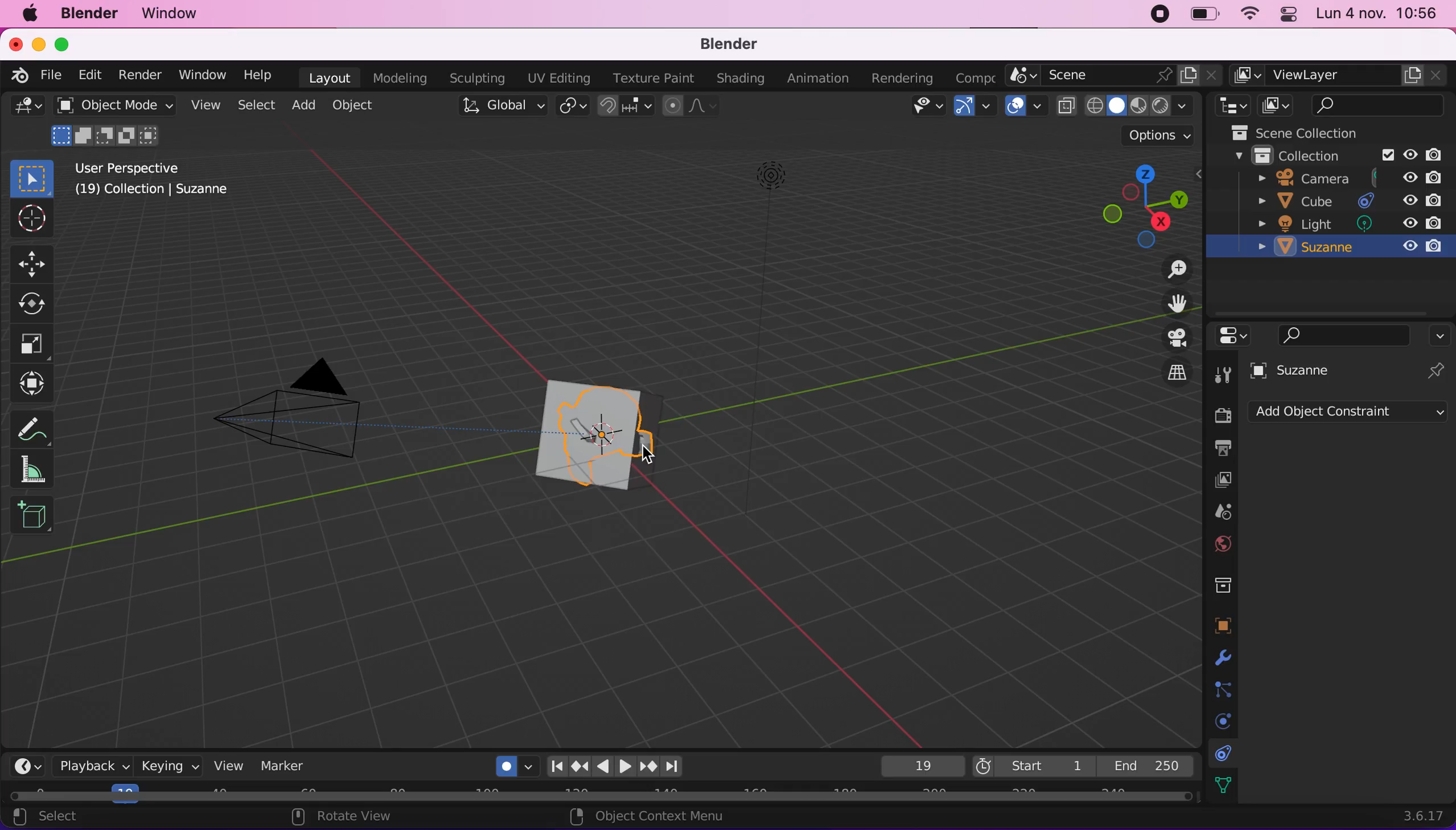 The image size is (1456, 830). Describe the element at coordinates (919, 766) in the screenshot. I see `current frame` at that location.